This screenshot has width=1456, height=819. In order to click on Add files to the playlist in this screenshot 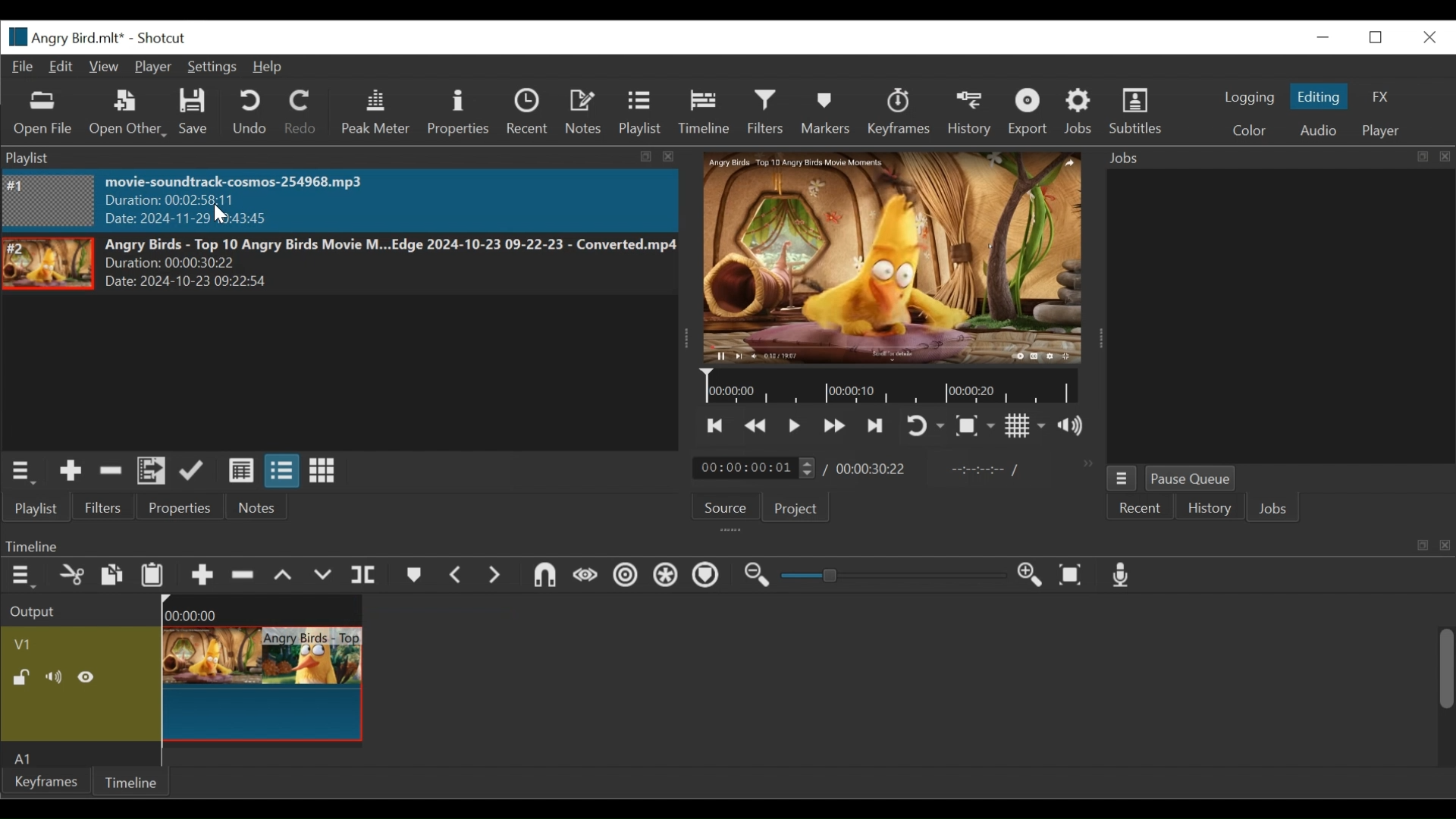, I will do `click(152, 472)`.